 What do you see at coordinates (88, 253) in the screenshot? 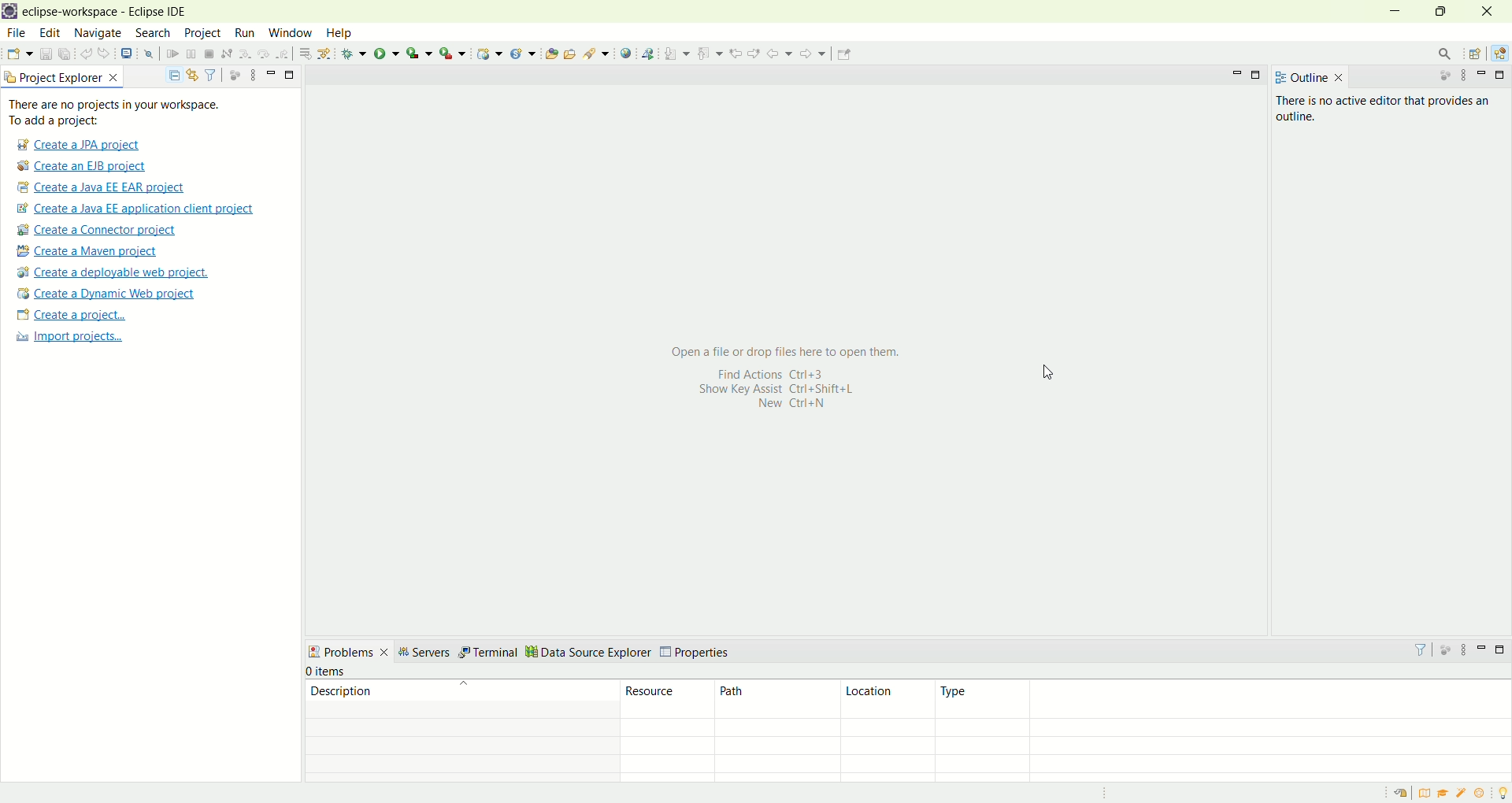
I see `create a maven project` at bounding box center [88, 253].